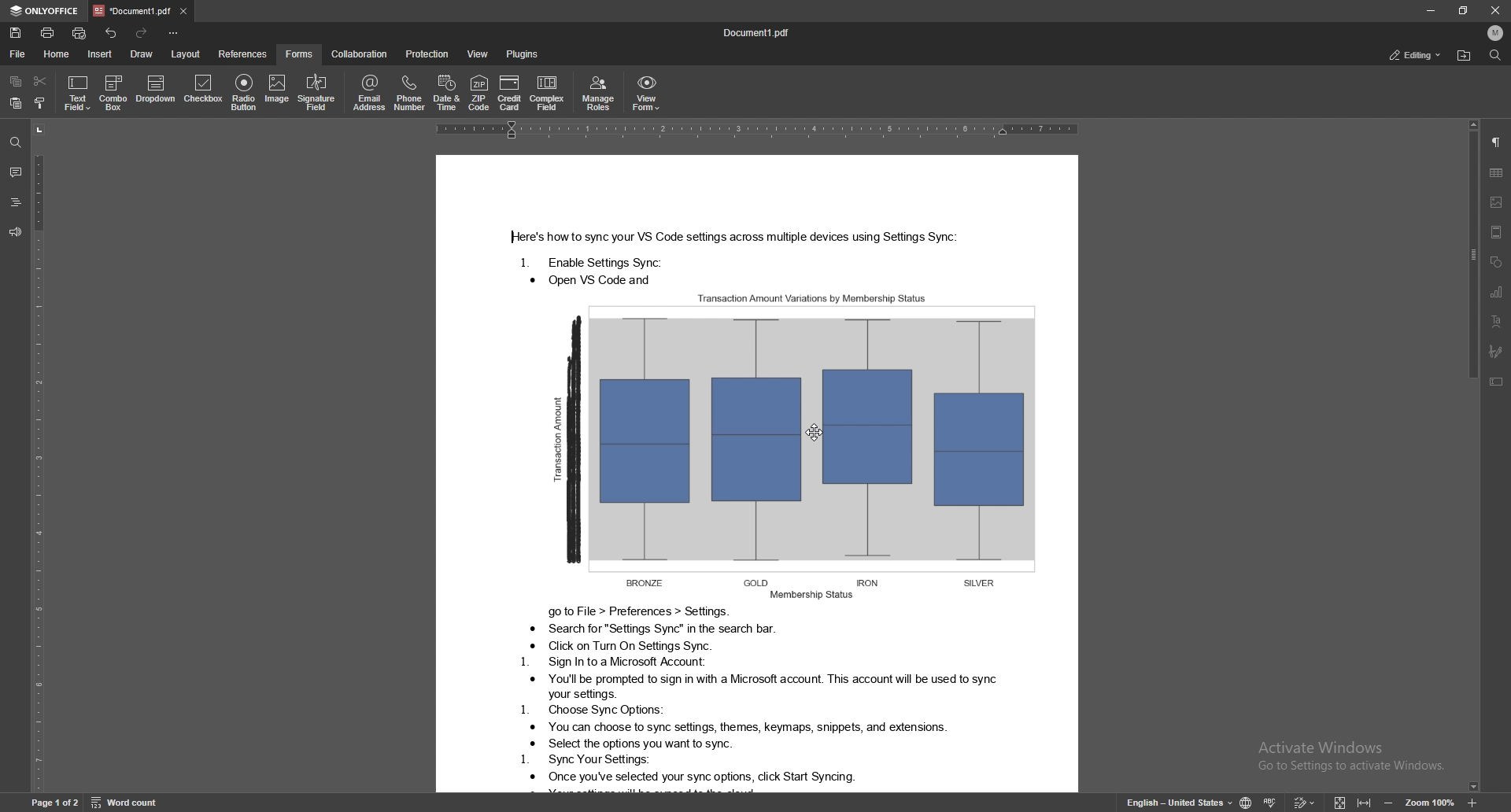 The image size is (1511, 812). What do you see at coordinates (19, 54) in the screenshot?
I see `file` at bounding box center [19, 54].